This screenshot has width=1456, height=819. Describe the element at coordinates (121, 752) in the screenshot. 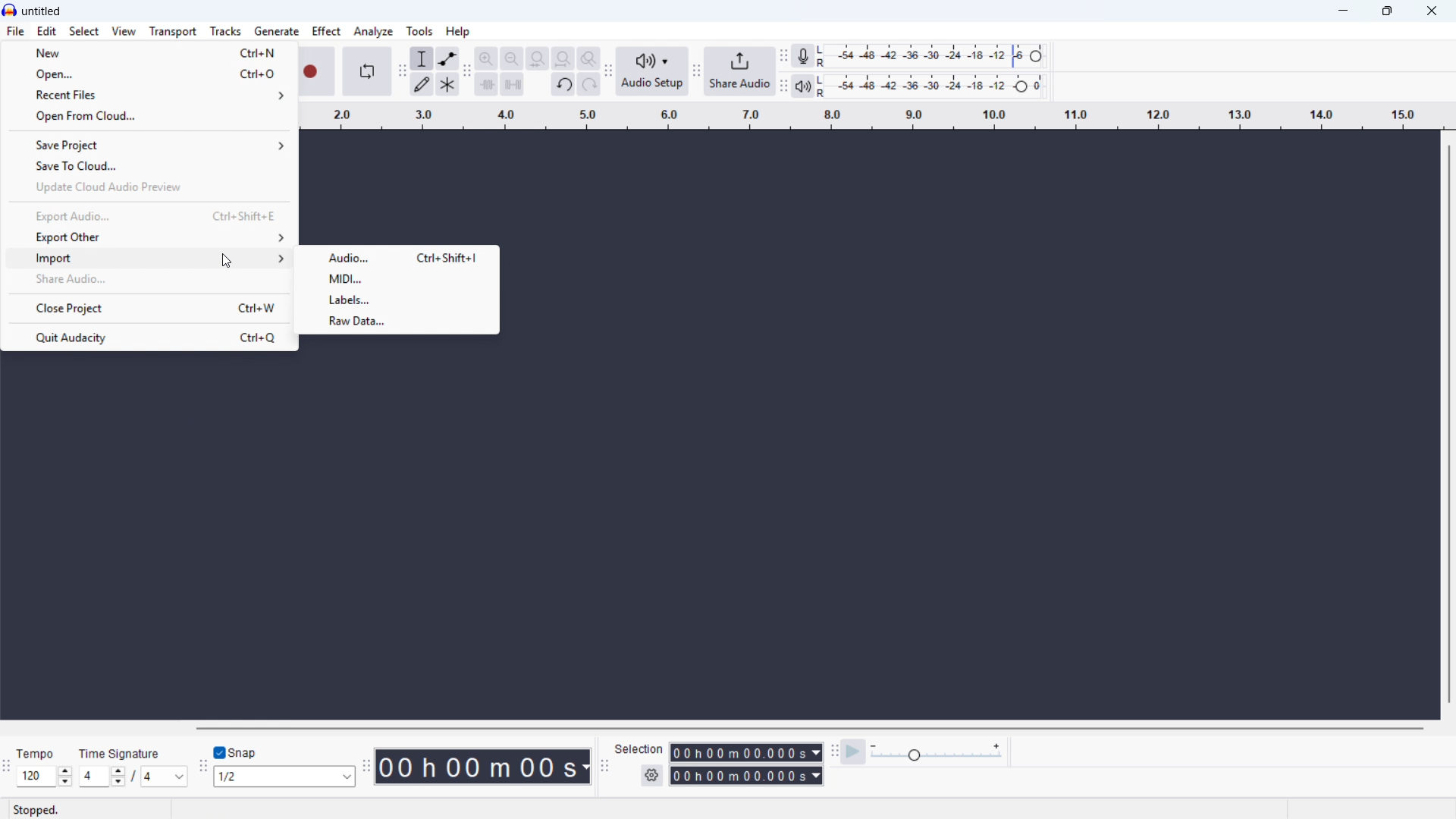

I see `Time signature` at that location.